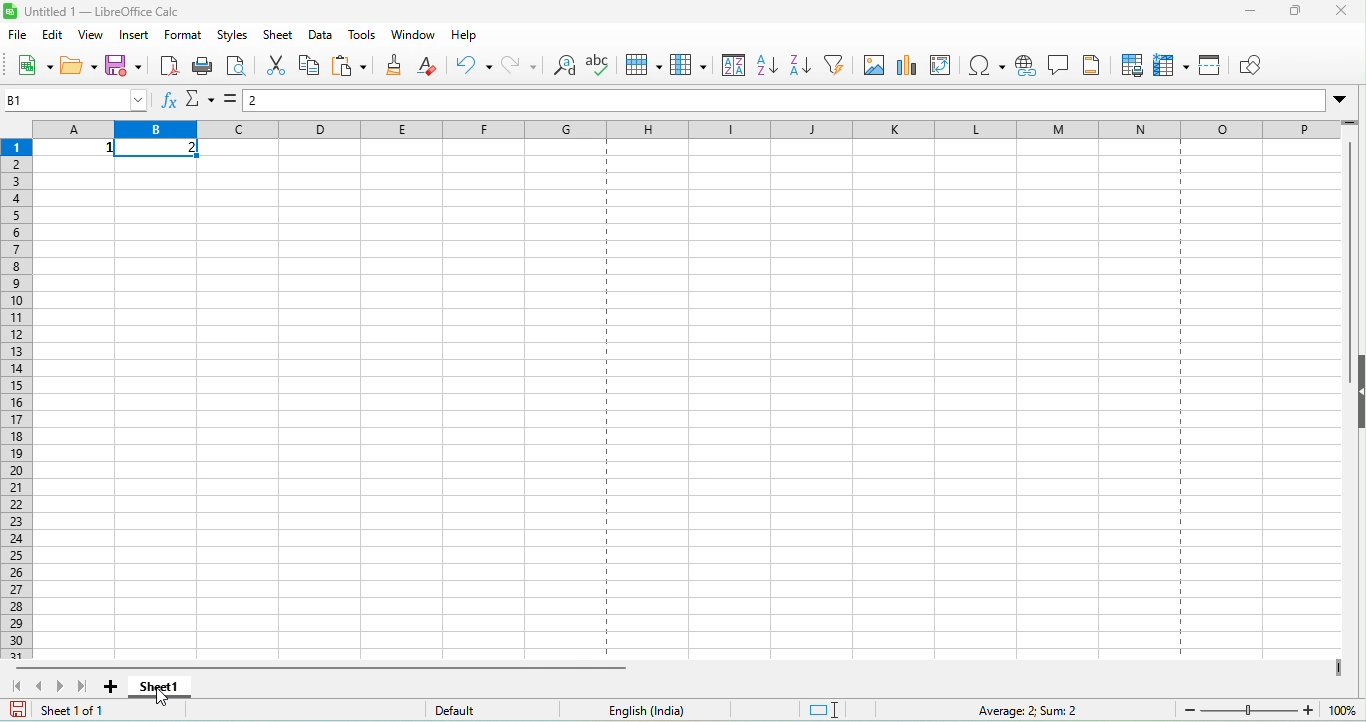  I want to click on export directly as pdf, so click(168, 66).